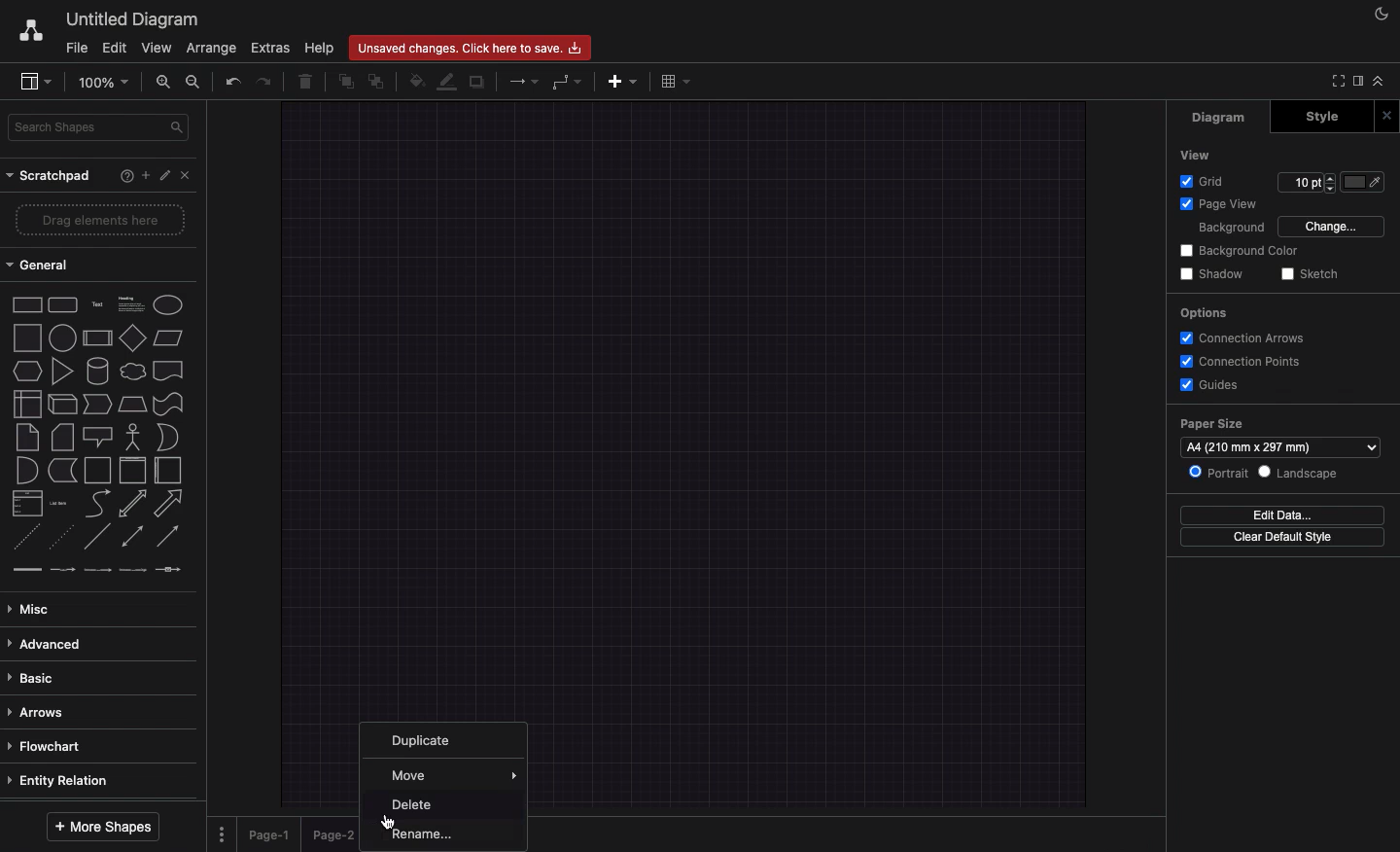 The height and width of the screenshot is (852, 1400). Describe the element at coordinates (59, 745) in the screenshot. I see `Flowchart` at that location.